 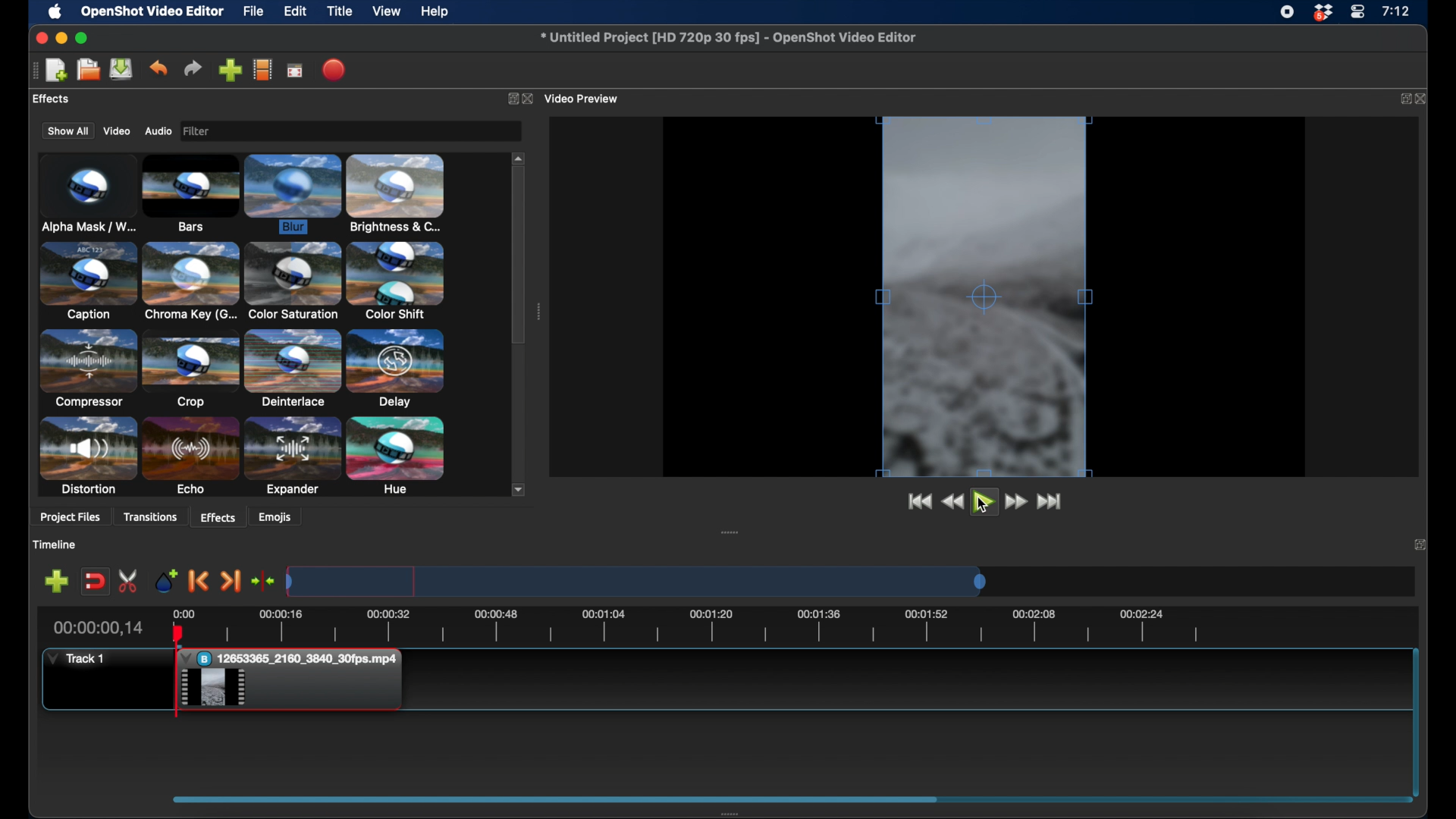 I want to click on transitions, so click(x=150, y=517).